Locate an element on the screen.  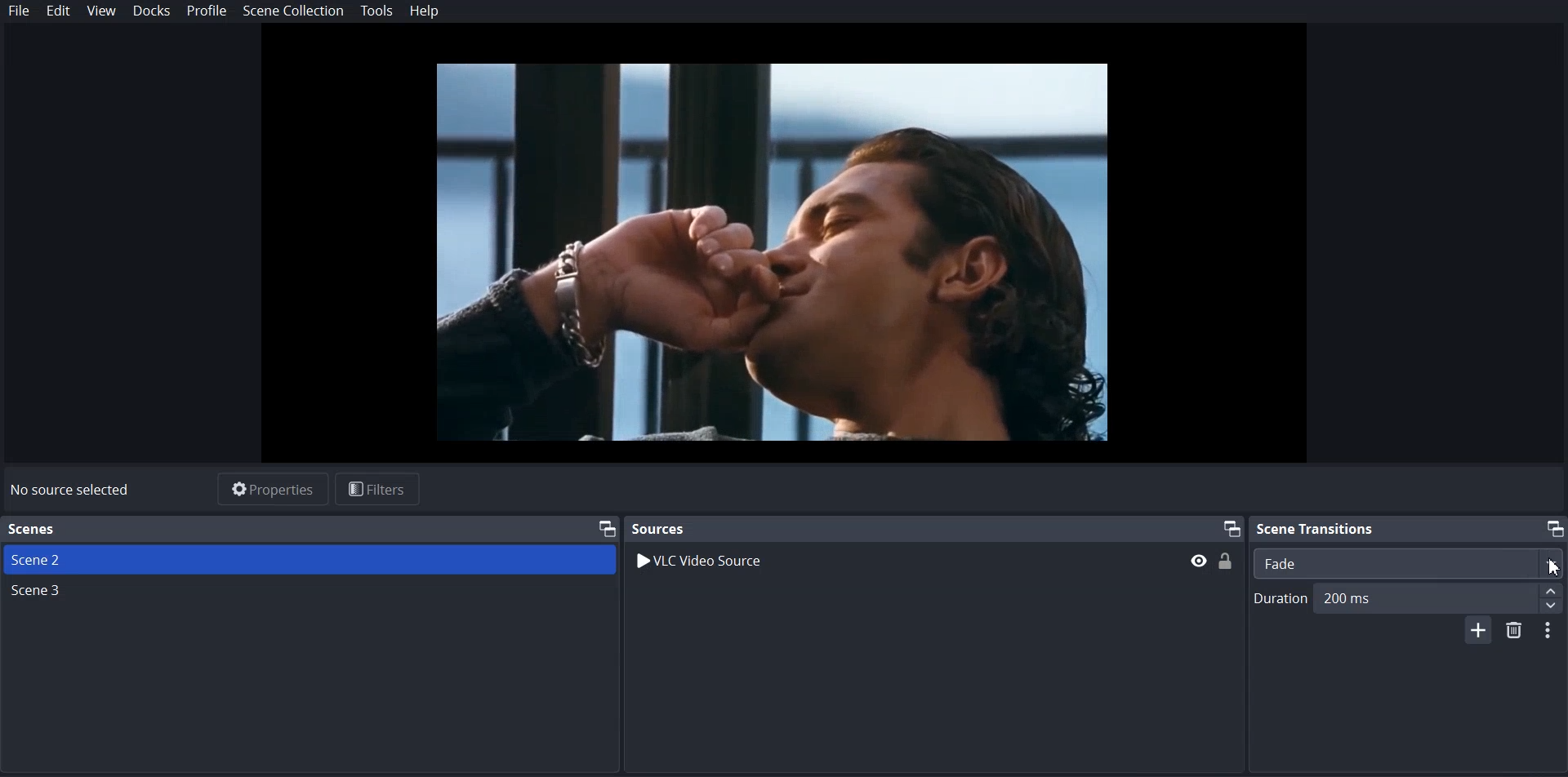
Tools is located at coordinates (377, 11).